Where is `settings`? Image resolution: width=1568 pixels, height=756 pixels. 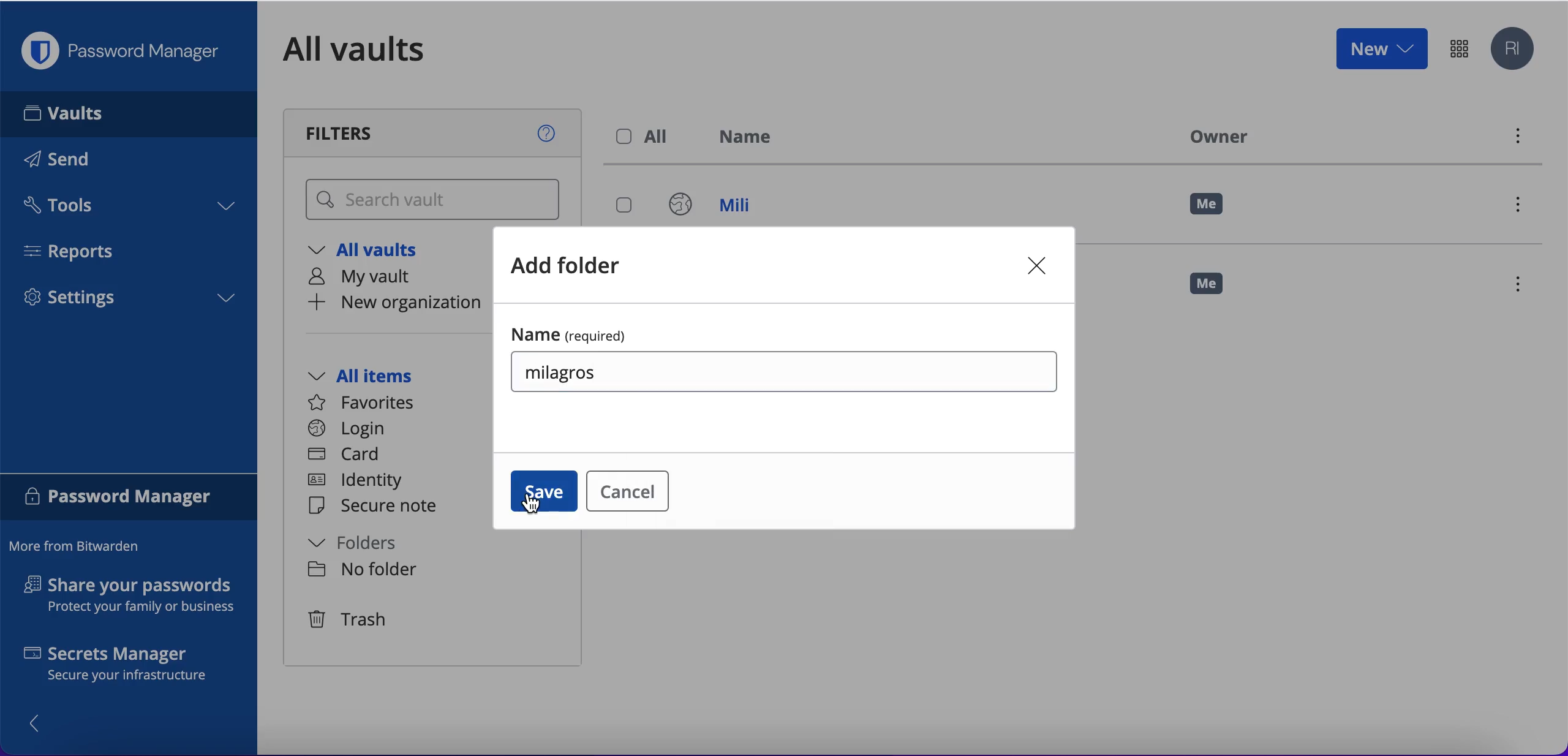 settings is located at coordinates (129, 301).